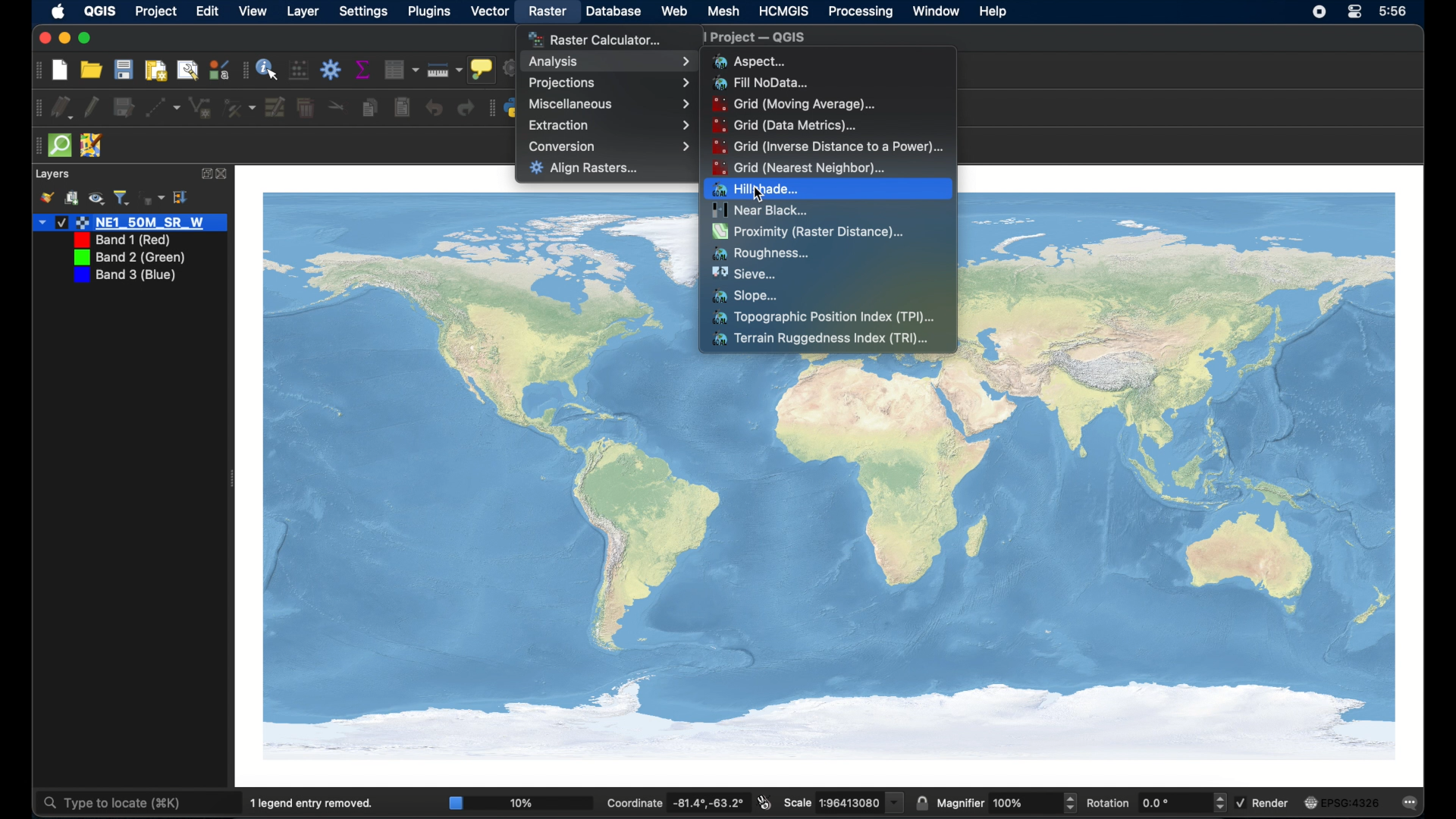 The height and width of the screenshot is (819, 1456). I want to click on scale, so click(843, 802).